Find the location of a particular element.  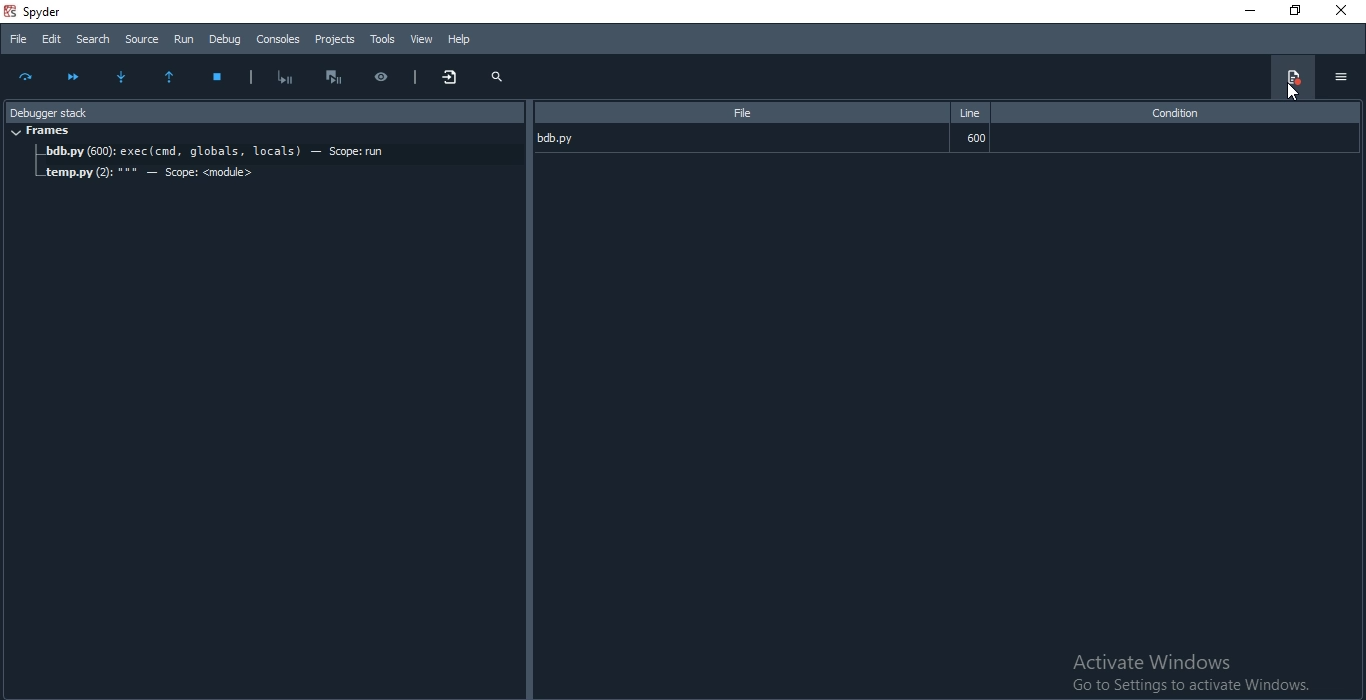

Start debugging after last error is located at coordinates (286, 76).